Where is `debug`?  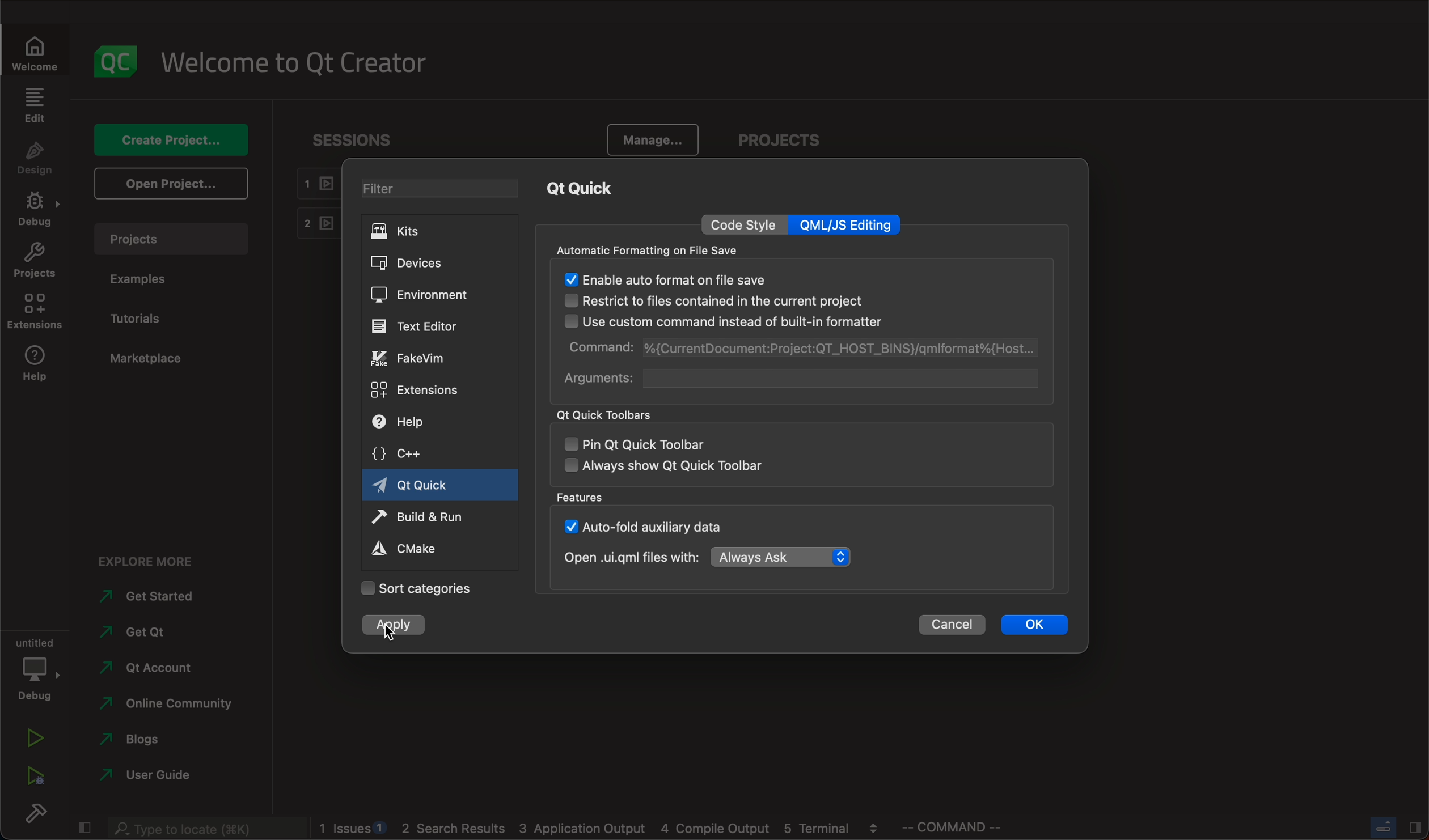
debug is located at coordinates (36, 667).